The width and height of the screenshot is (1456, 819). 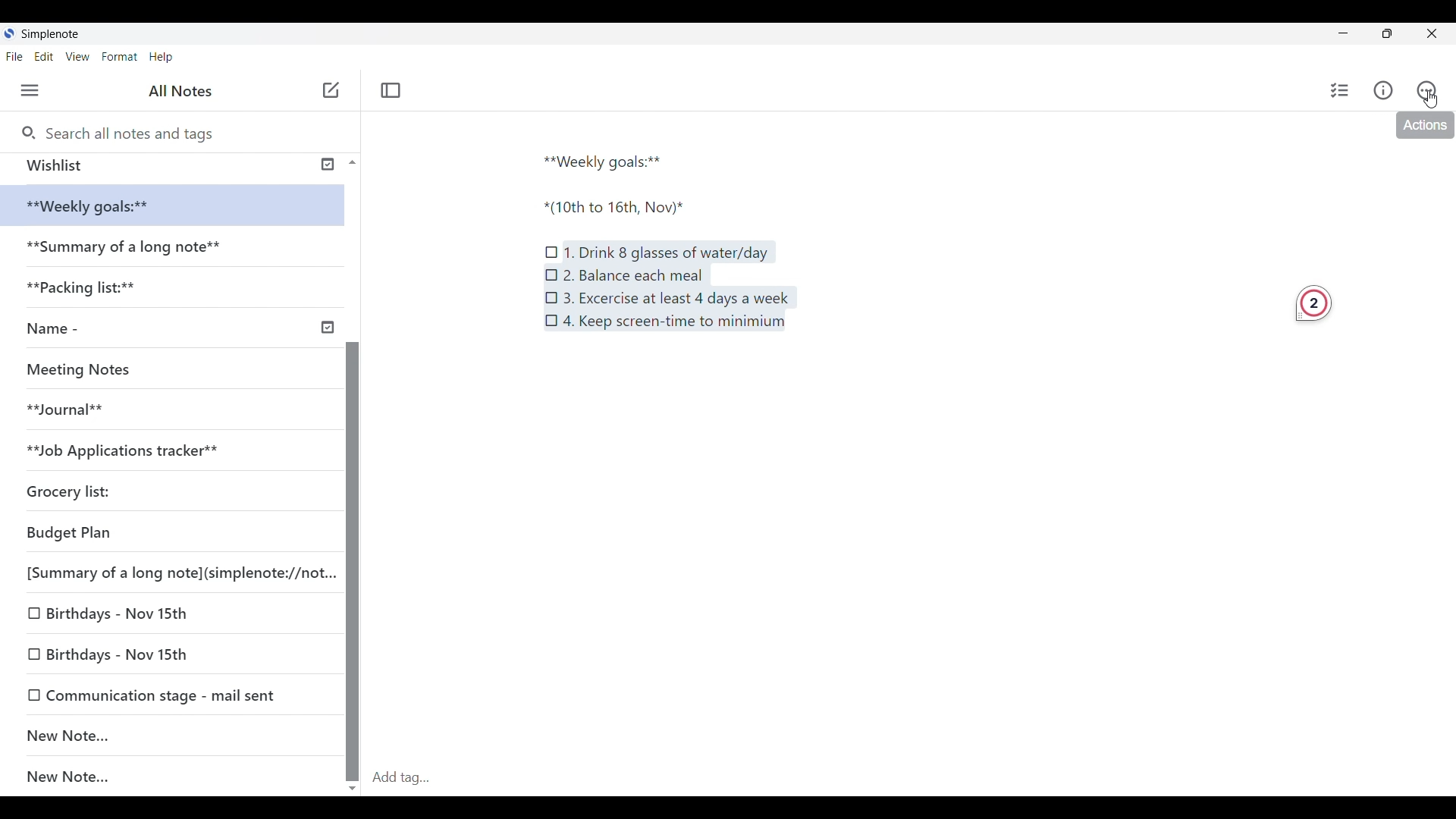 I want to click on 2. Balance each meal, so click(x=632, y=275).